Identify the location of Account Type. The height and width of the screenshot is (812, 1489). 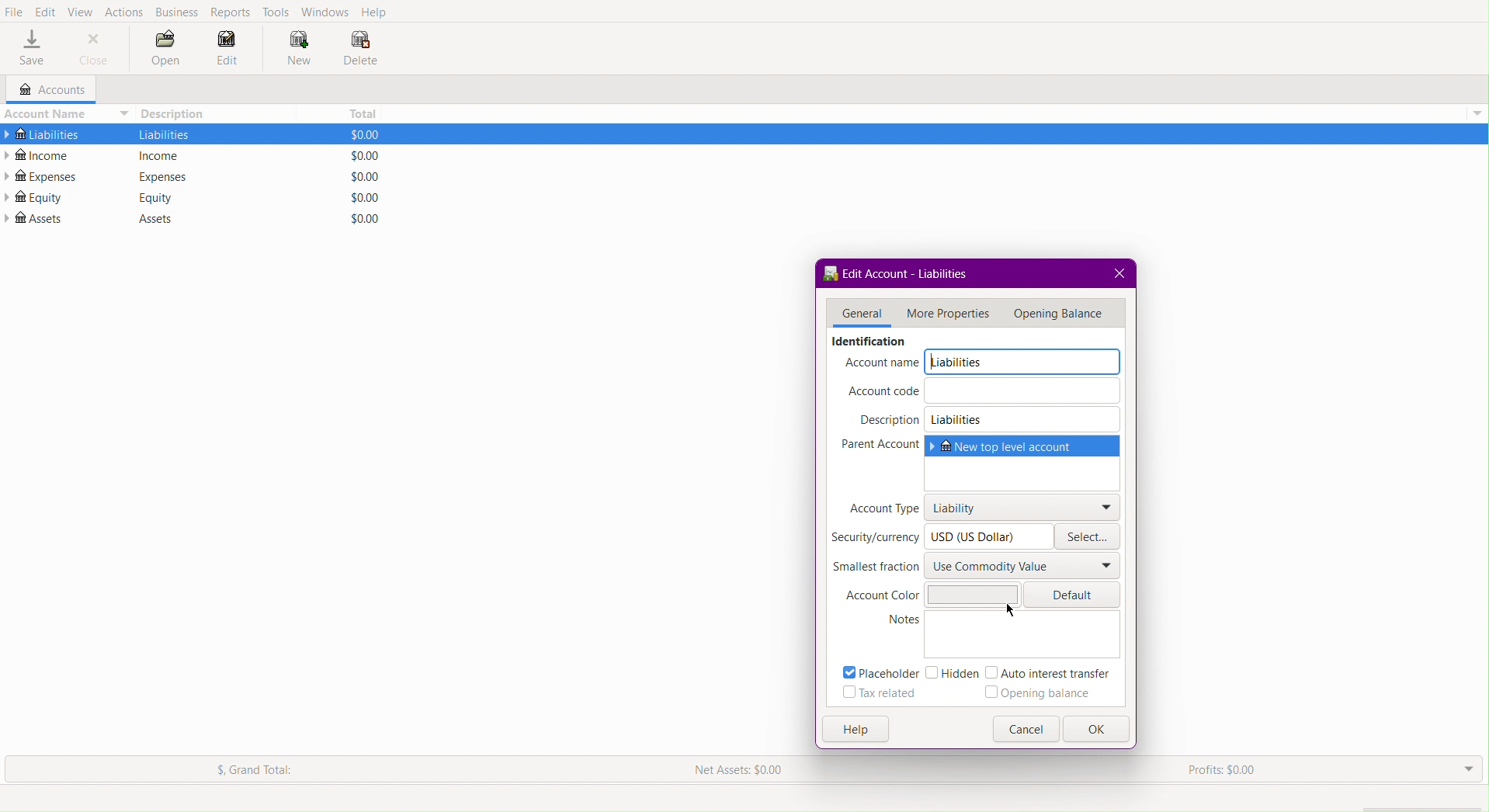
(883, 508).